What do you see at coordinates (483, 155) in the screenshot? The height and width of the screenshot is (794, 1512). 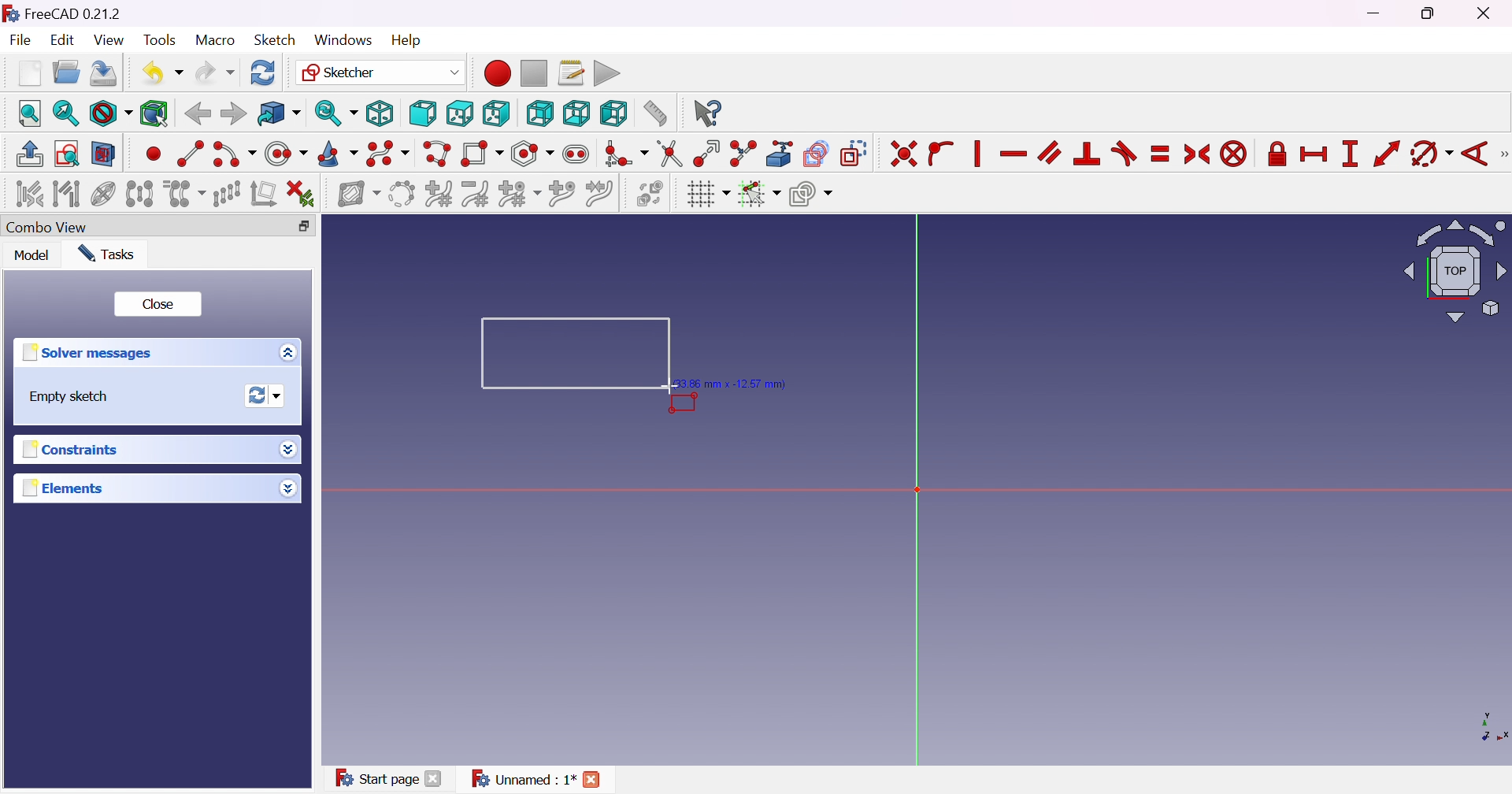 I see `Create rectangle` at bounding box center [483, 155].